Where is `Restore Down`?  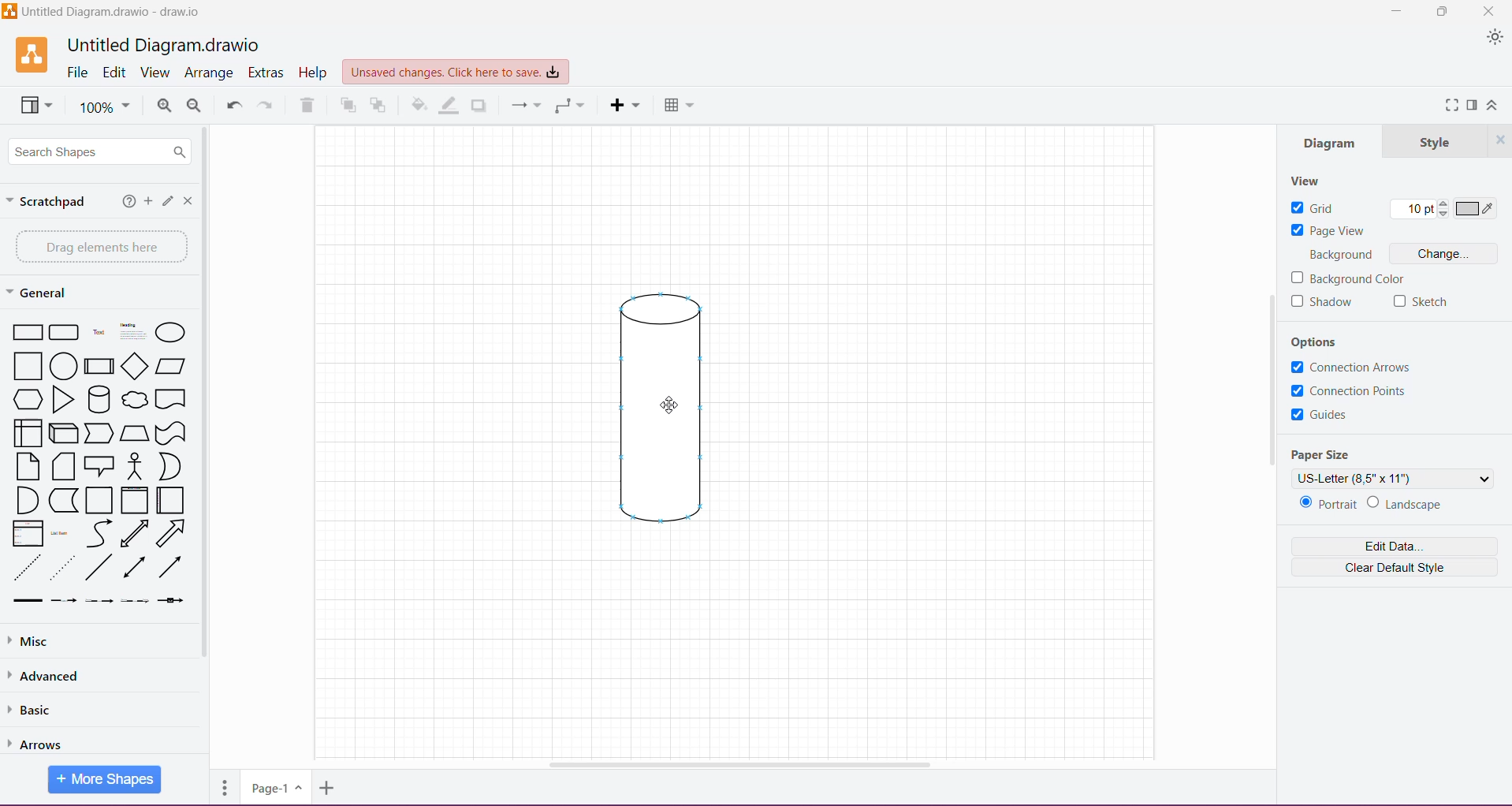
Restore Down is located at coordinates (1443, 12).